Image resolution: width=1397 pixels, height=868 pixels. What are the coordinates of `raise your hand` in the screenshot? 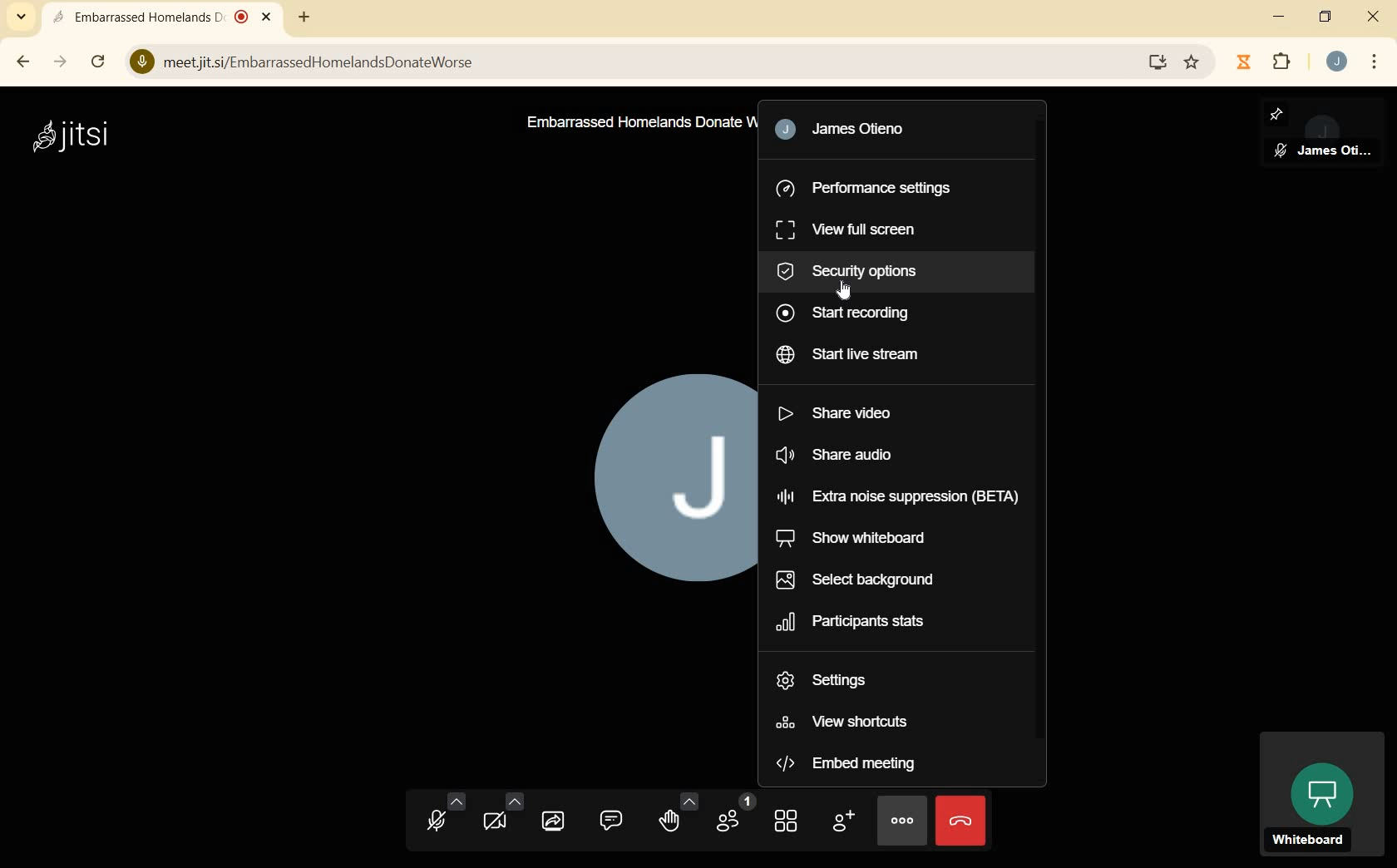 It's located at (678, 816).